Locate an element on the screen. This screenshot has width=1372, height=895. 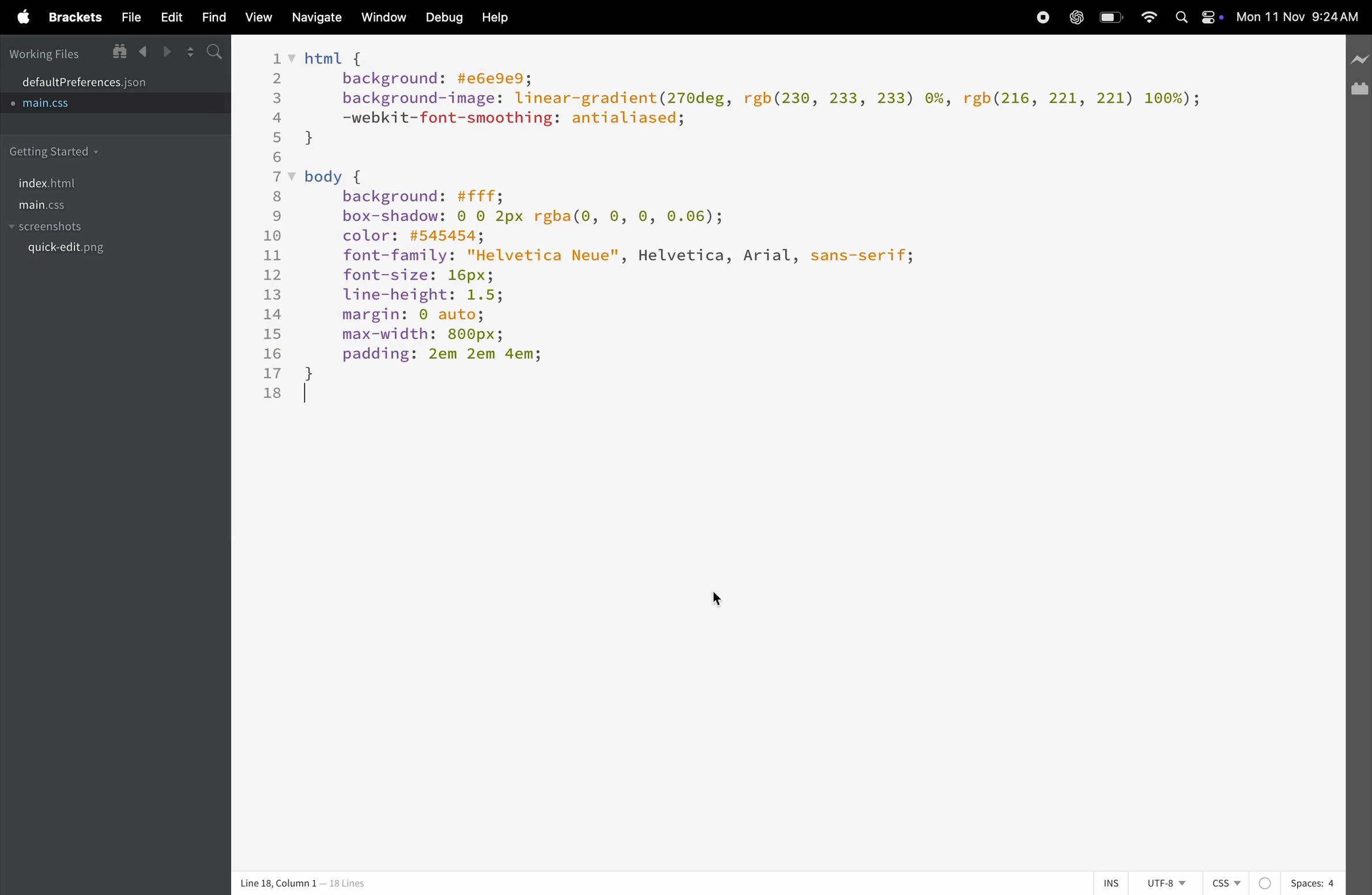
view is located at coordinates (255, 20).